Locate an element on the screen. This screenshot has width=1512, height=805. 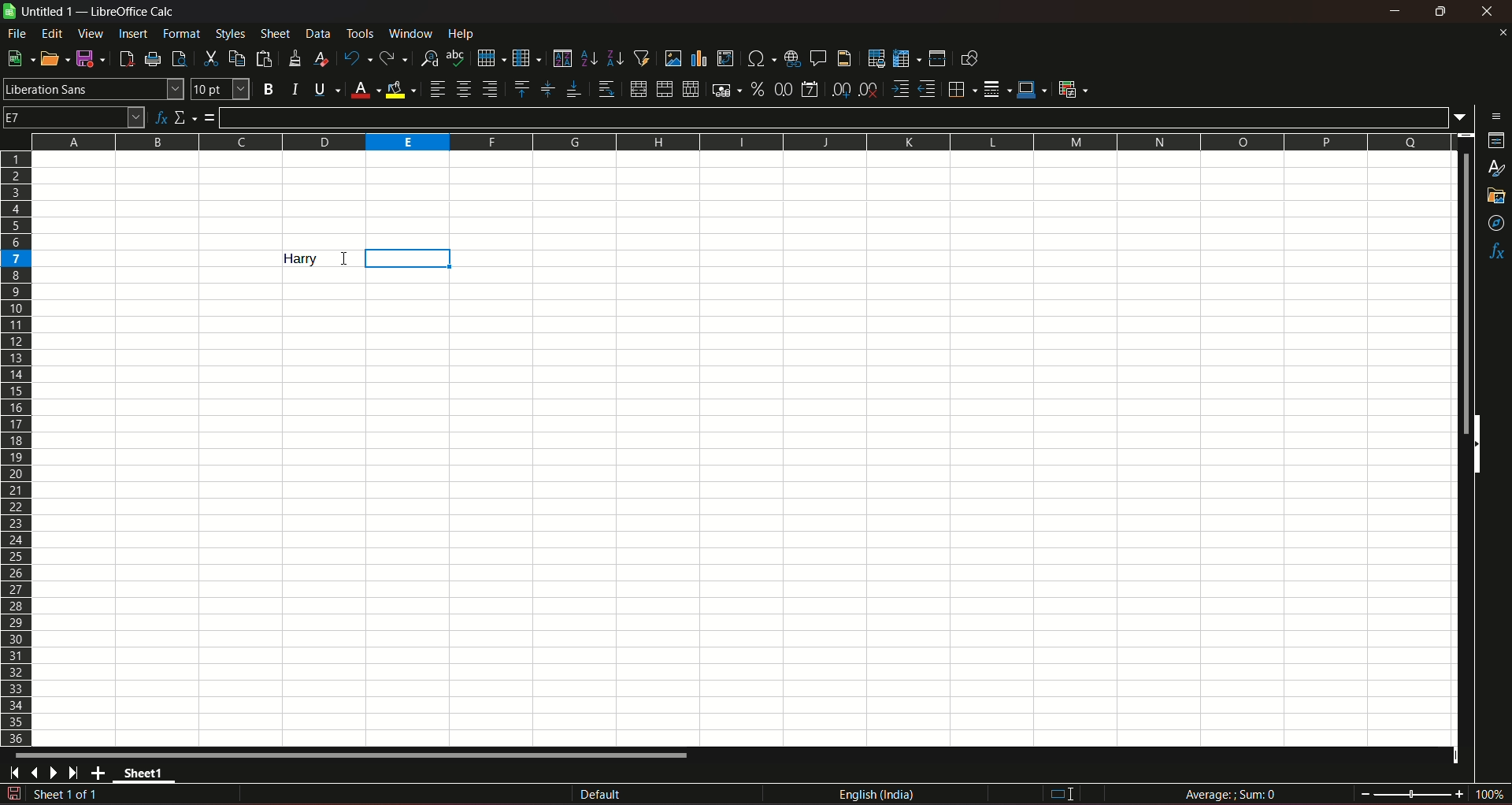
sheet name is located at coordinates (148, 776).